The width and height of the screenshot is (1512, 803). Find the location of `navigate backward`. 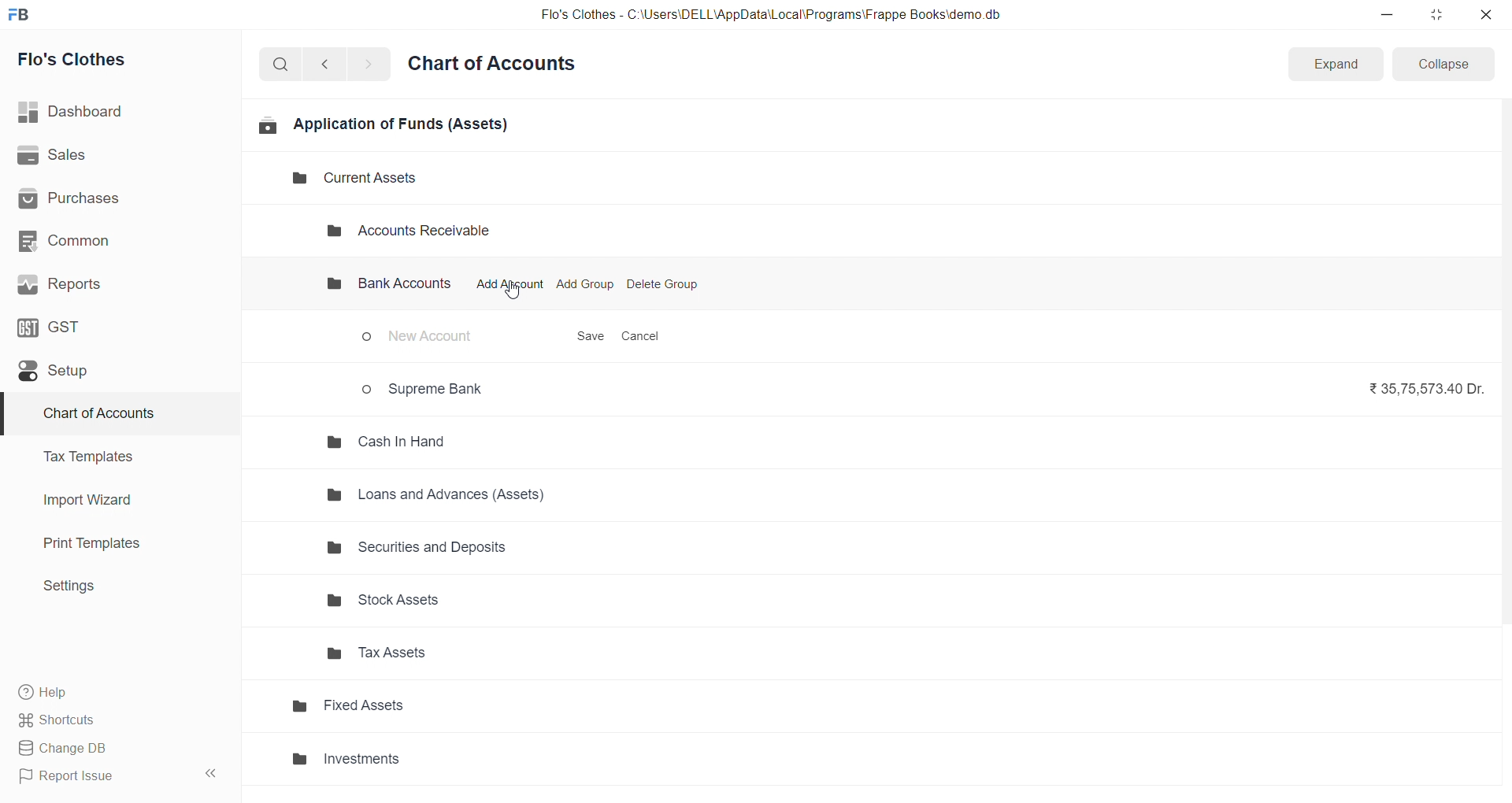

navigate backward is located at coordinates (332, 62).